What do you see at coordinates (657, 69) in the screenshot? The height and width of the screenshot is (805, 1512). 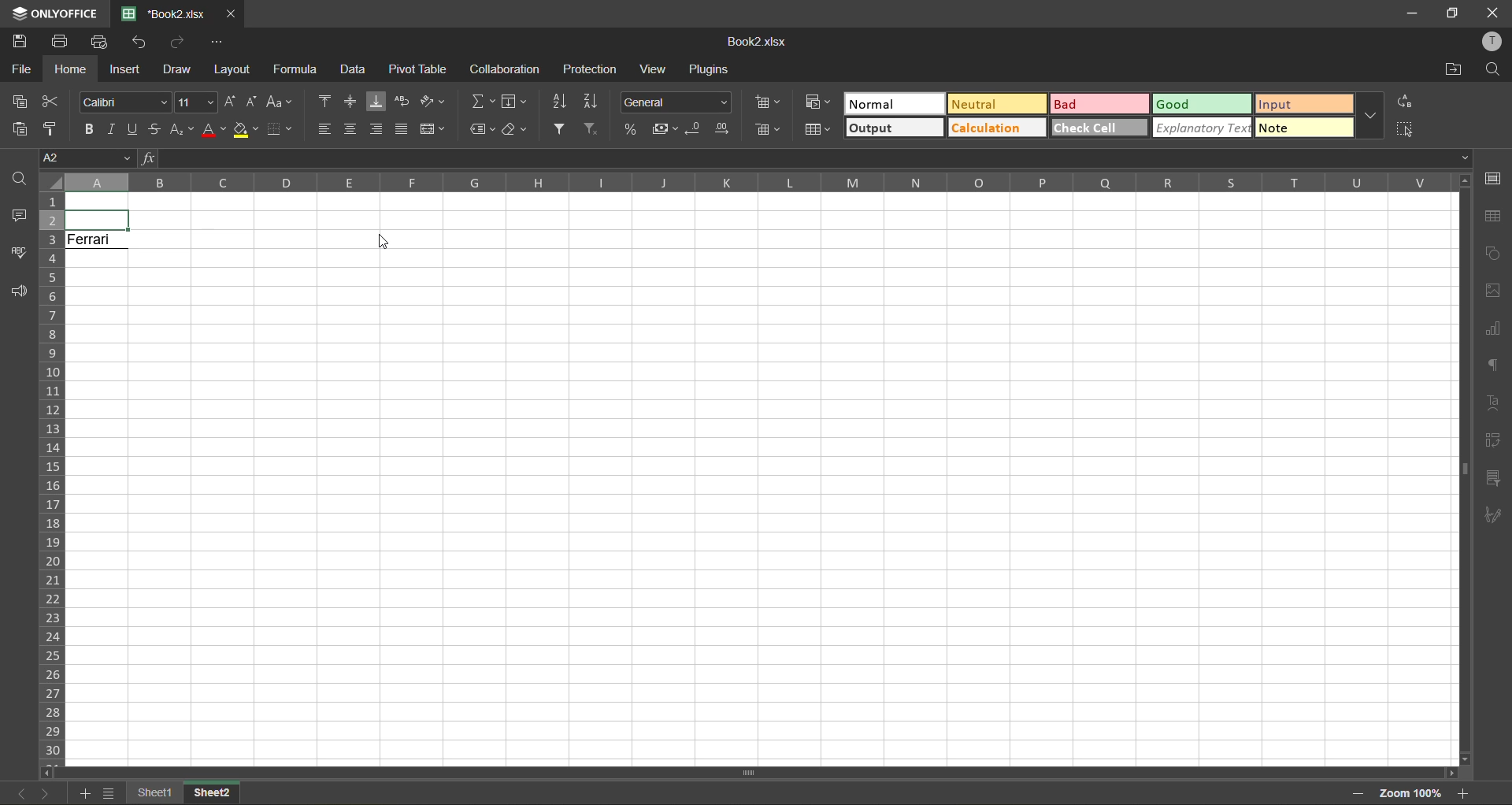 I see `view` at bounding box center [657, 69].